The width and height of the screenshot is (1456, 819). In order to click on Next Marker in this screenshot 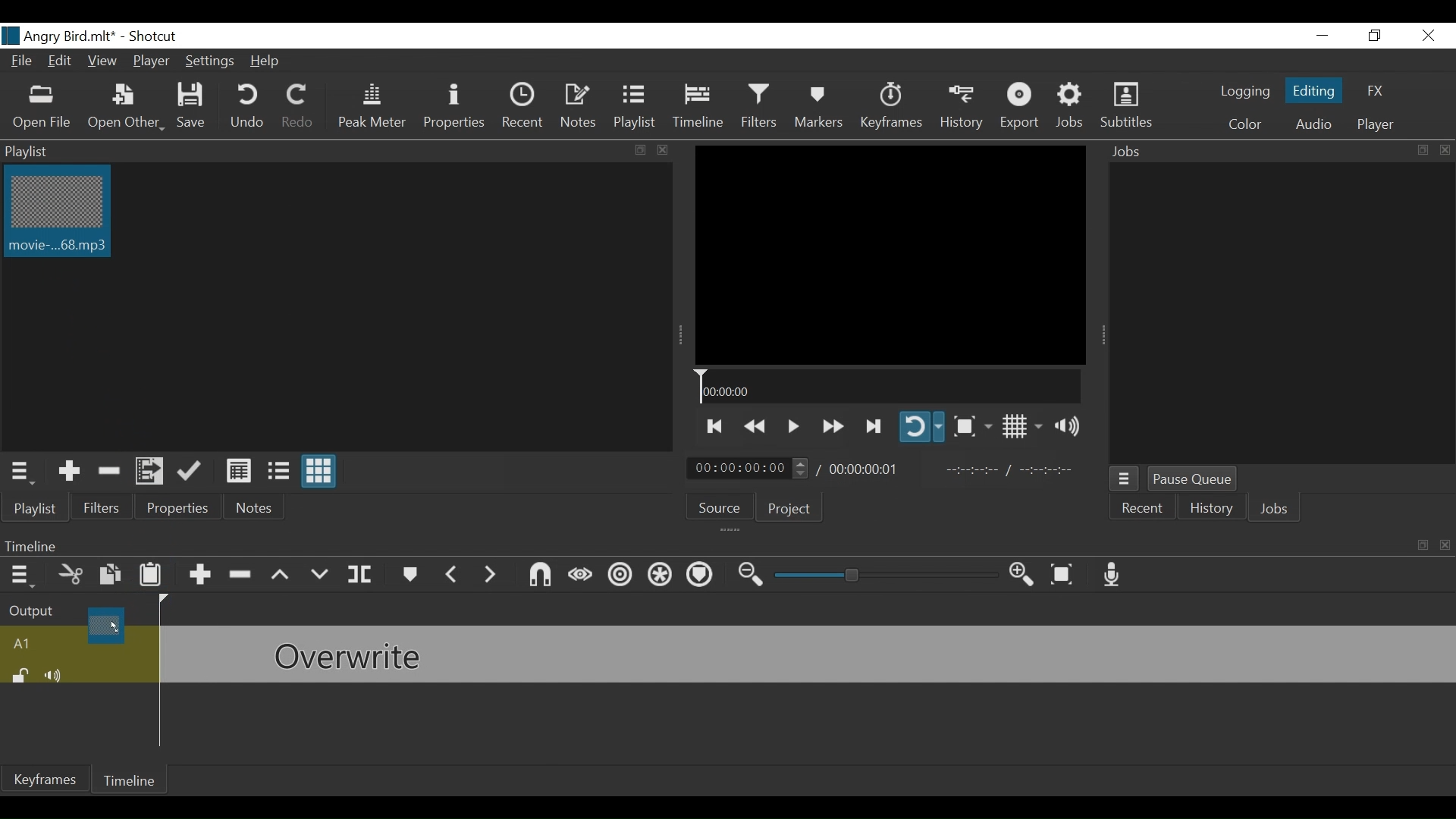, I will do `click(493, 575)`.